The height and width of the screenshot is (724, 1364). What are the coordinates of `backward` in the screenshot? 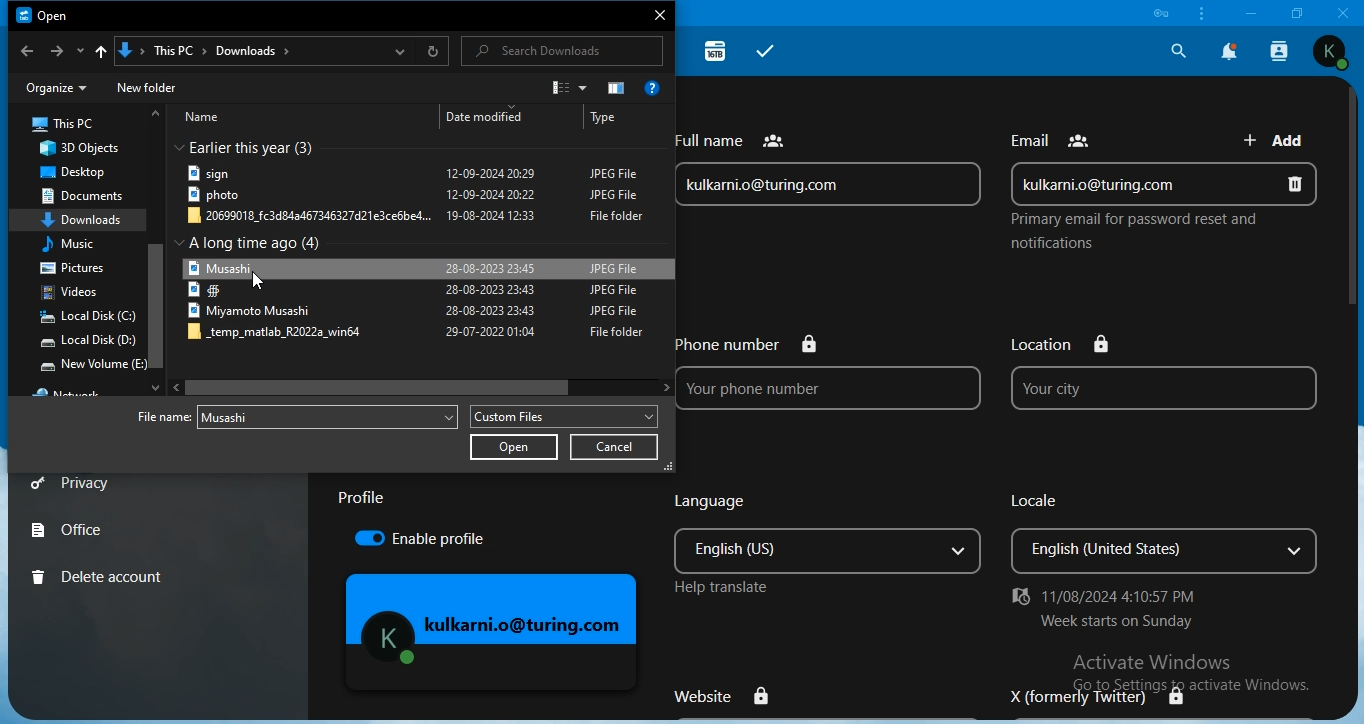 It's located at (26, 52).